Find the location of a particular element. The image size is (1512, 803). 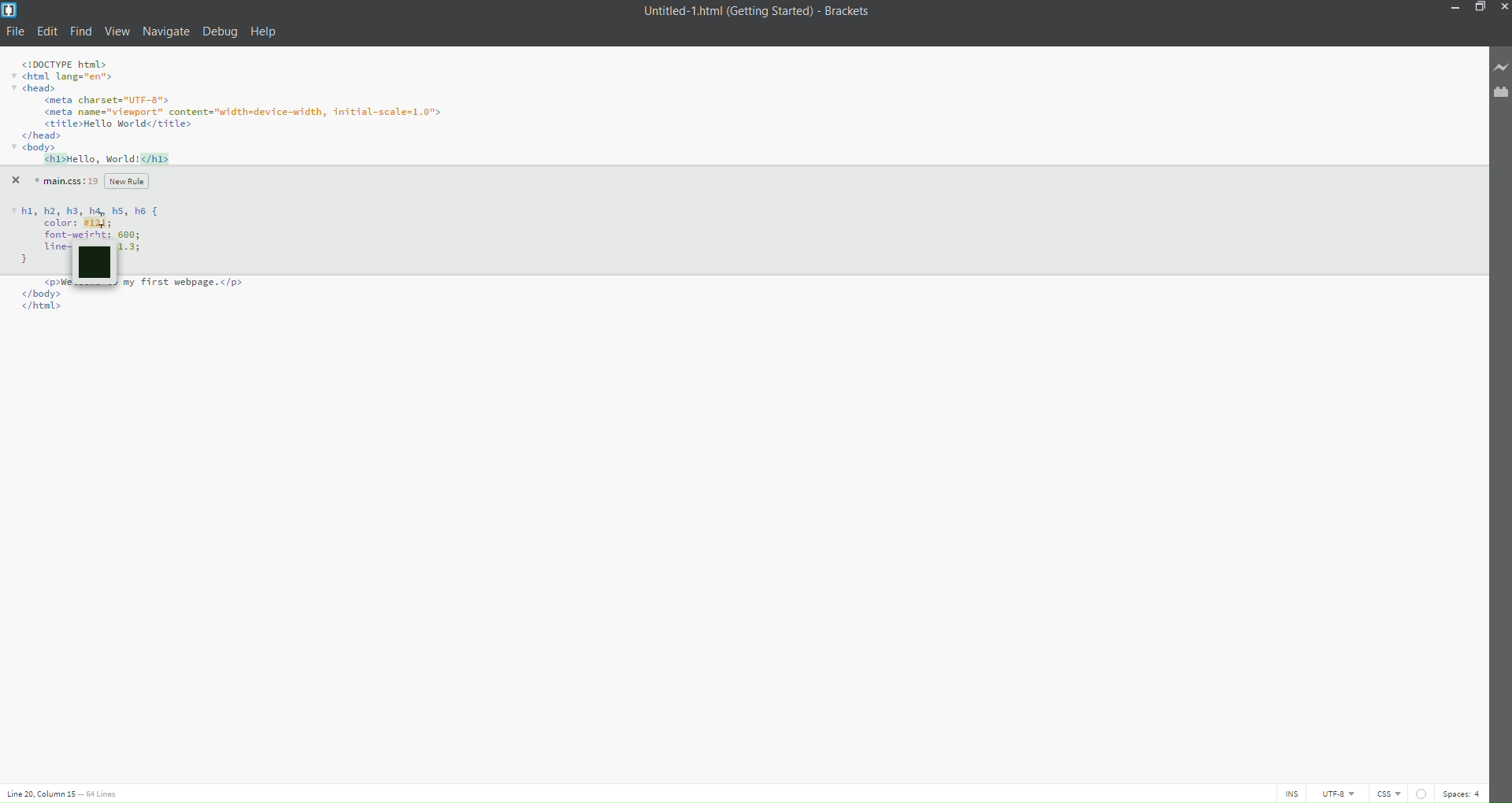

new rule is located at coordinates (125, 180).